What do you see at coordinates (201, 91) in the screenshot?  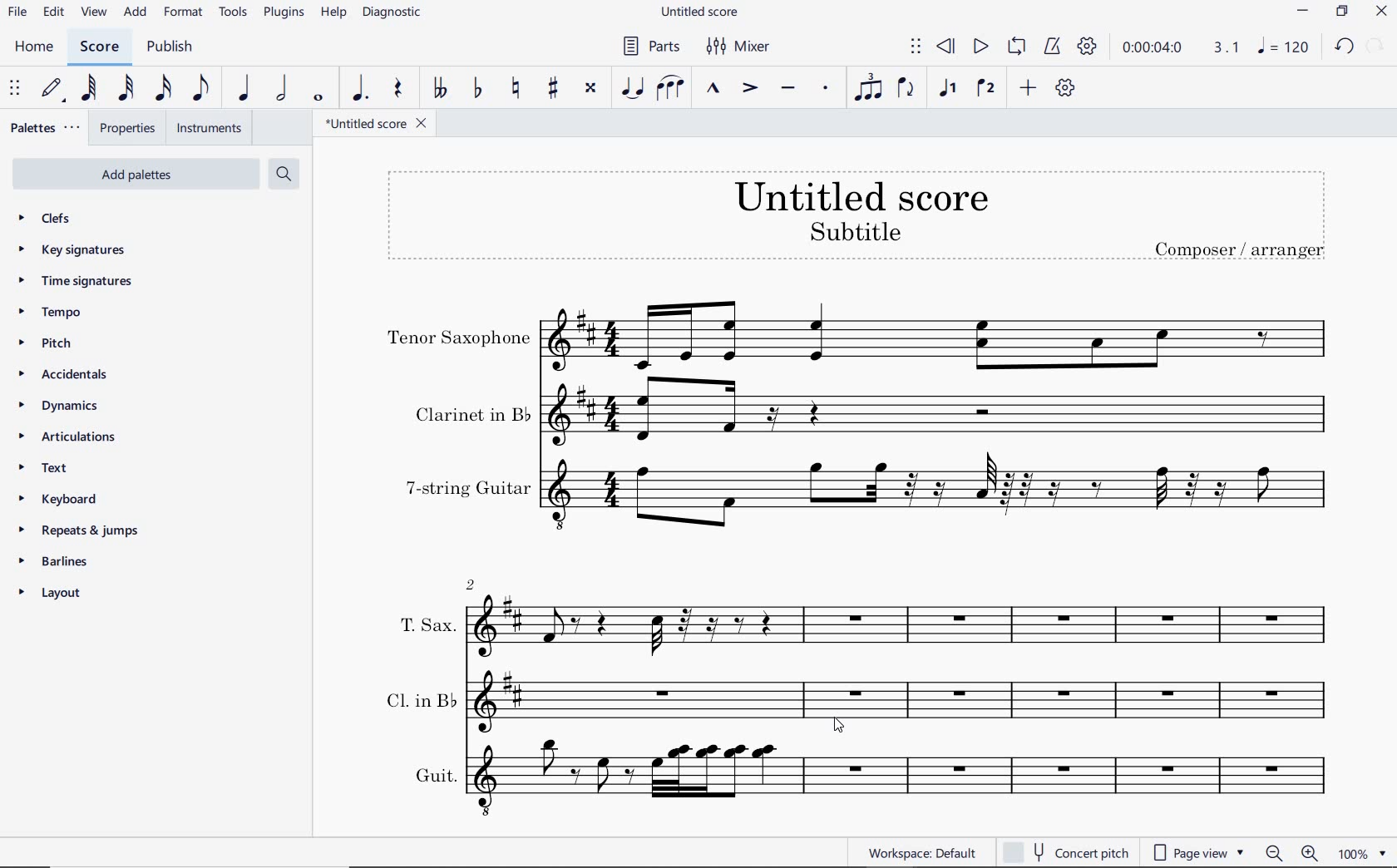 I see `EIGHTH NOTE` at bounding box center [201, 91].